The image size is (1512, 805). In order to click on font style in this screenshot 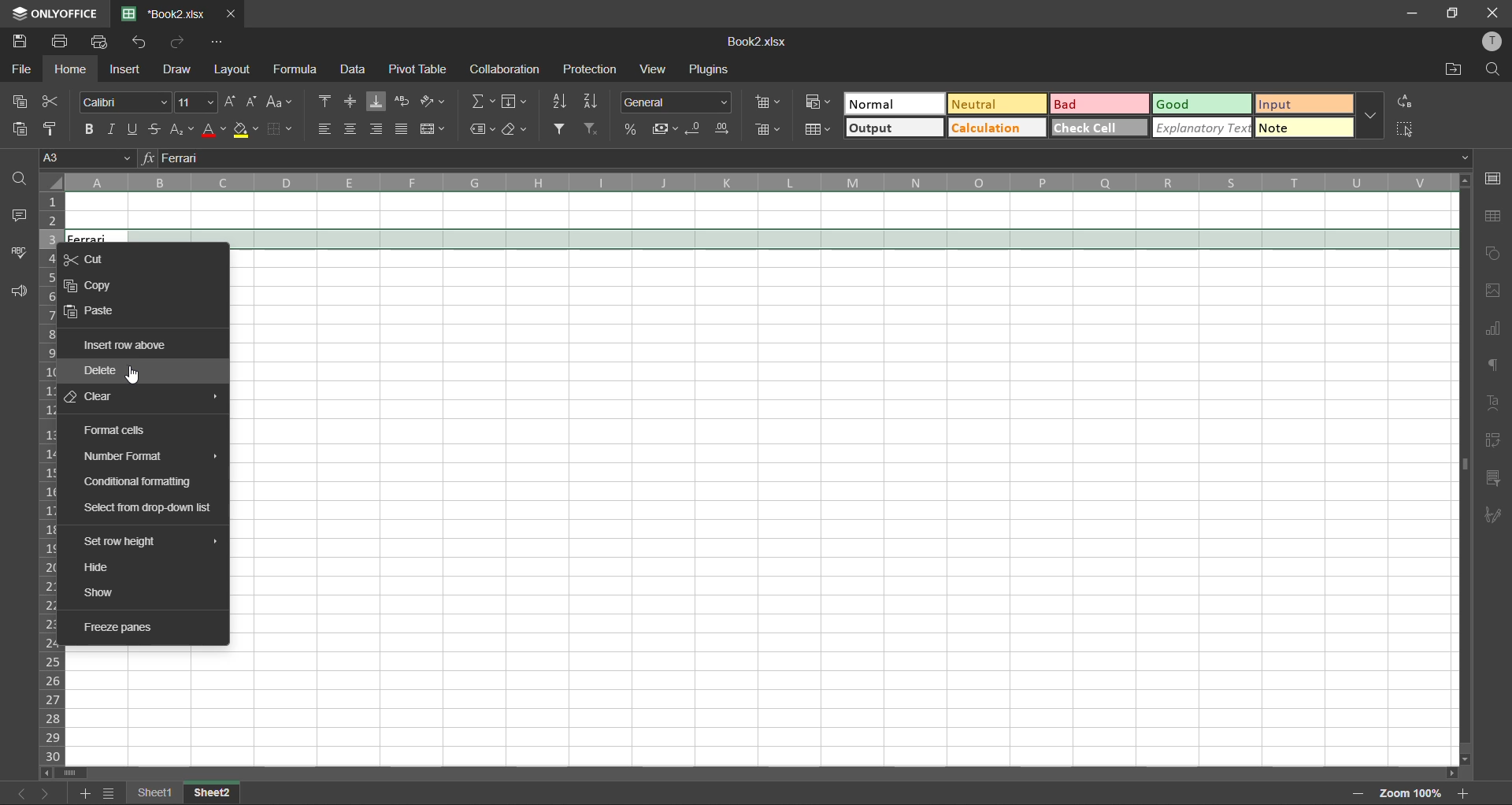, I will do `click(127, 102)`.